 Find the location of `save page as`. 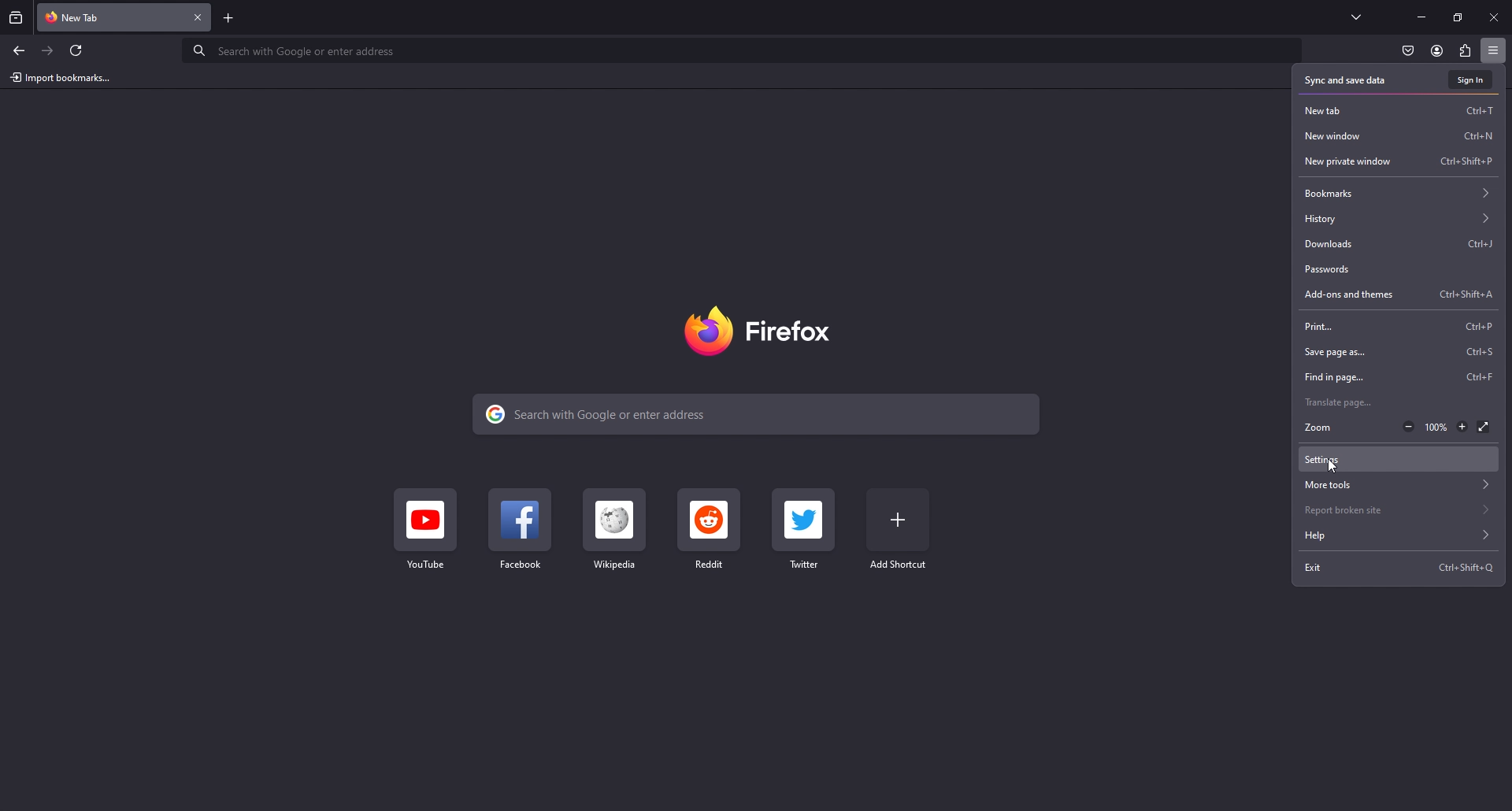

save page as is located at coordinates (1398, 352).